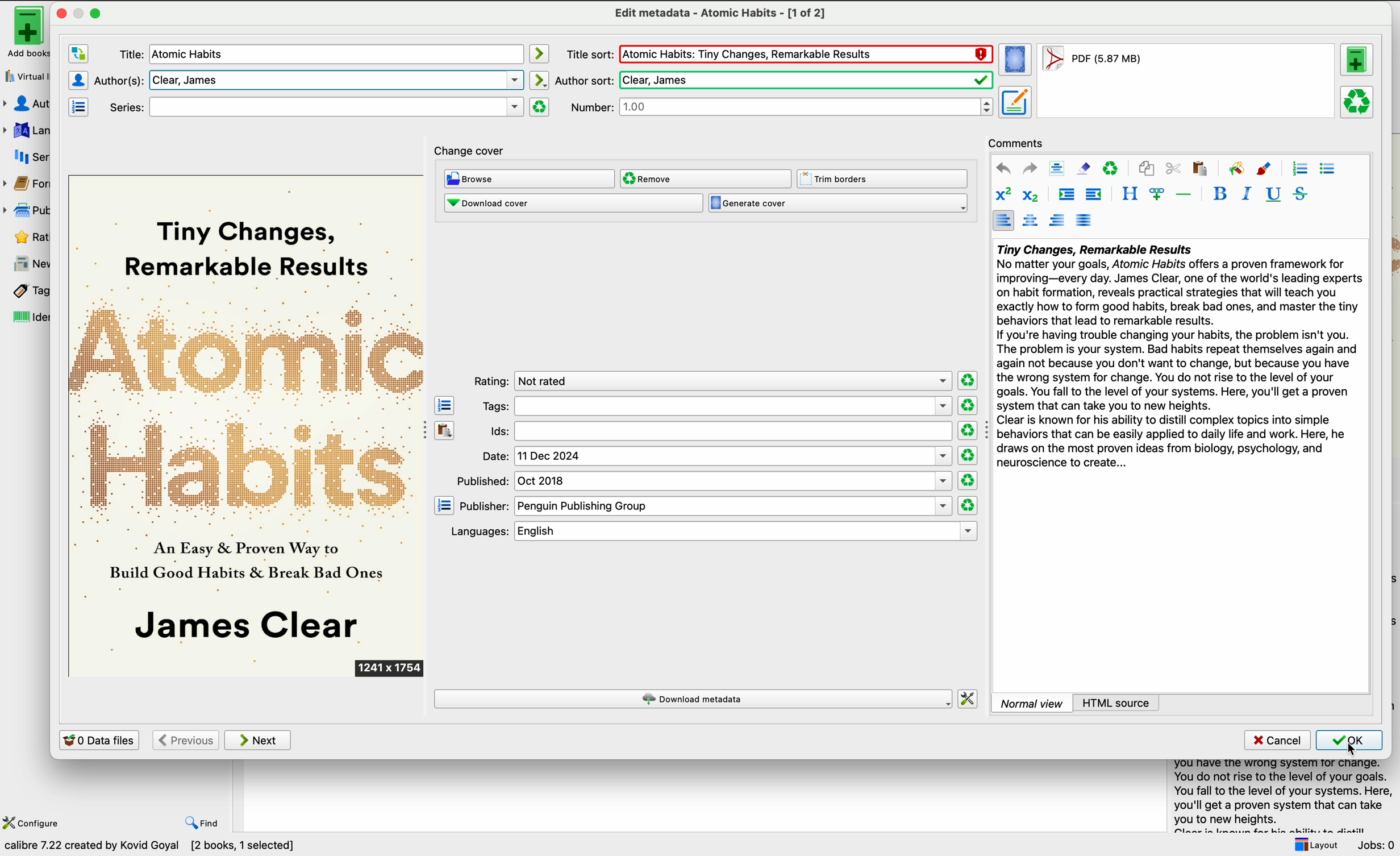  Describe the element at coordinates (259, 741) in the screenshot. I see `next button` at that location.